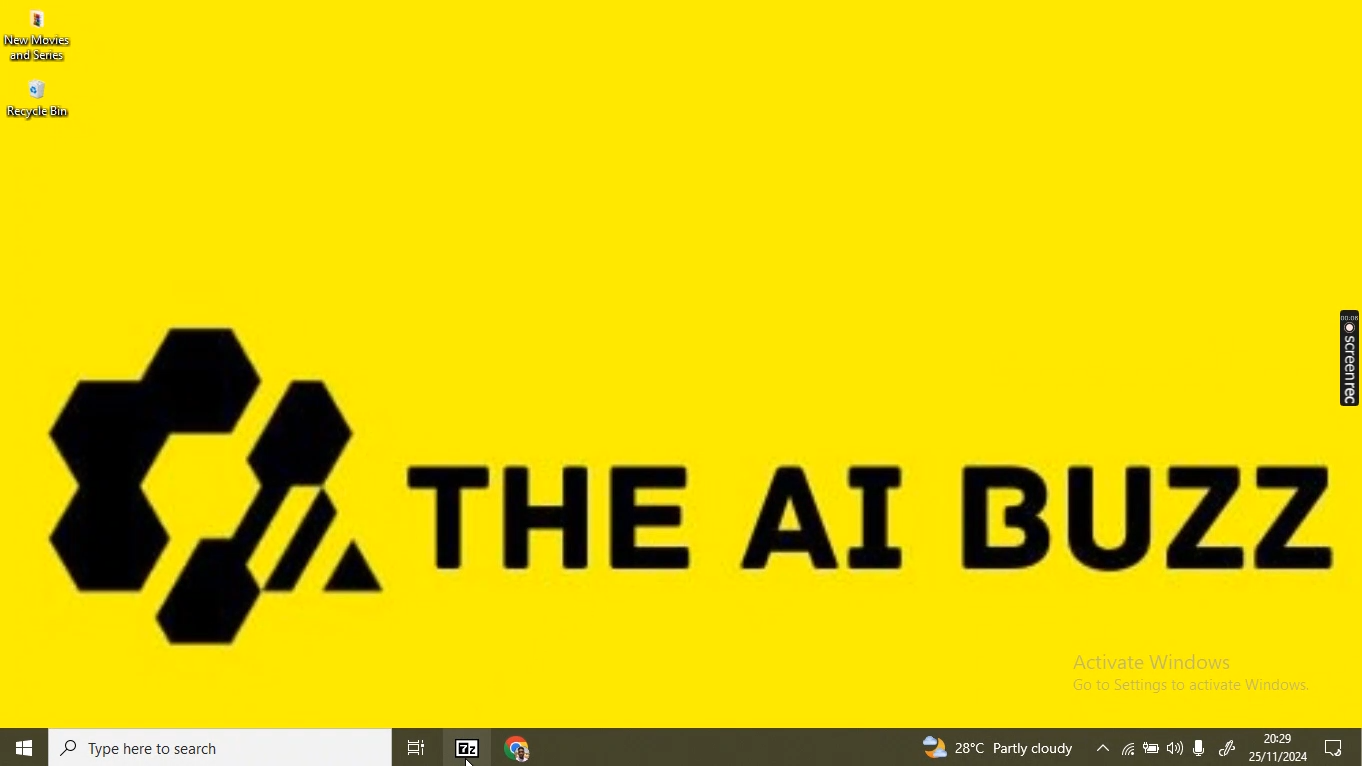 Image resolution: width=1362 pixels, height=766 pixels. What do you see at coordinates (521, 746) in the screenshot?
I see `chrome` at bounding box center [521, 746].